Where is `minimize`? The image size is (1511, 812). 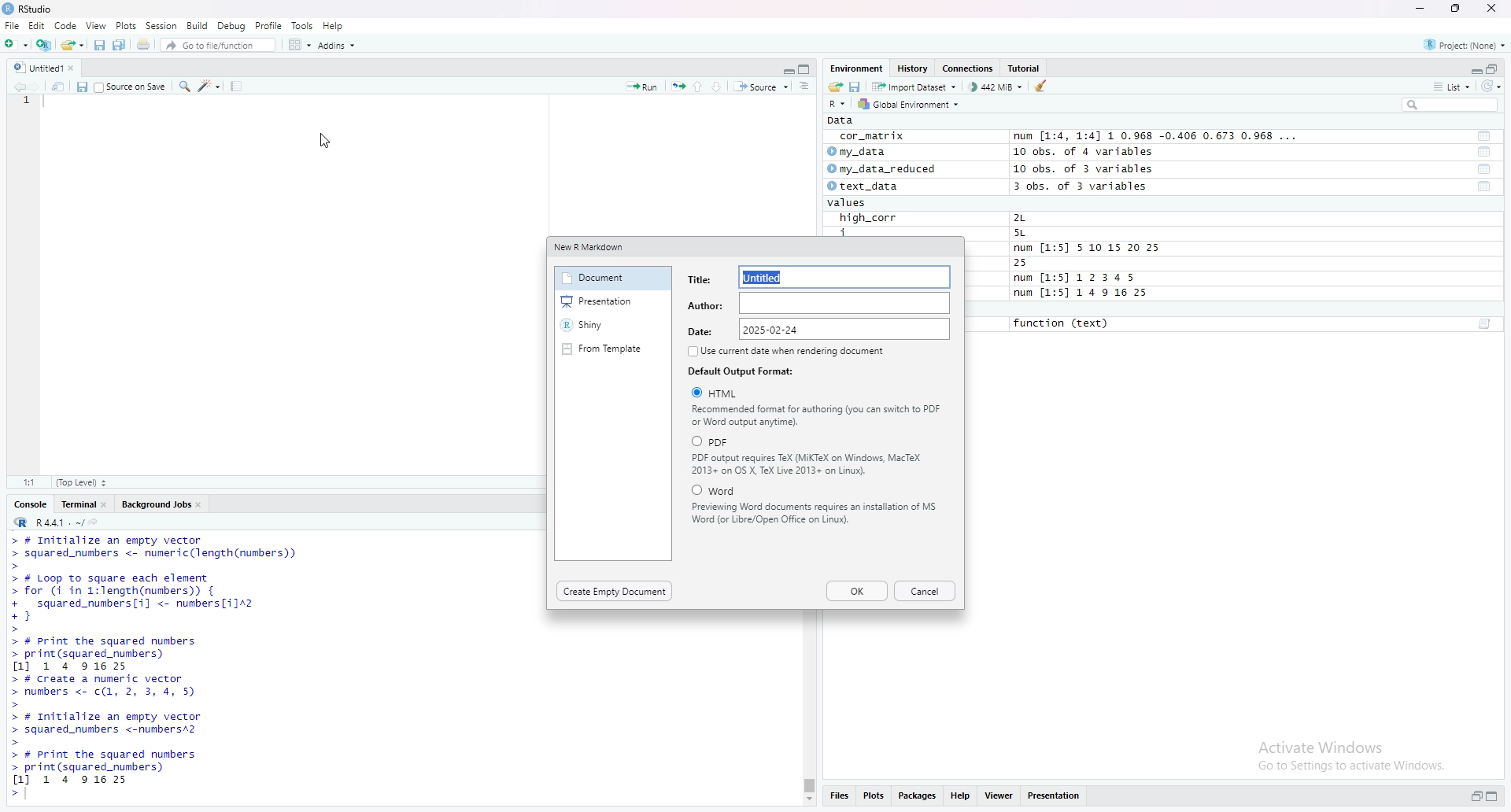 minimize is located at coordinates (1418, 9).